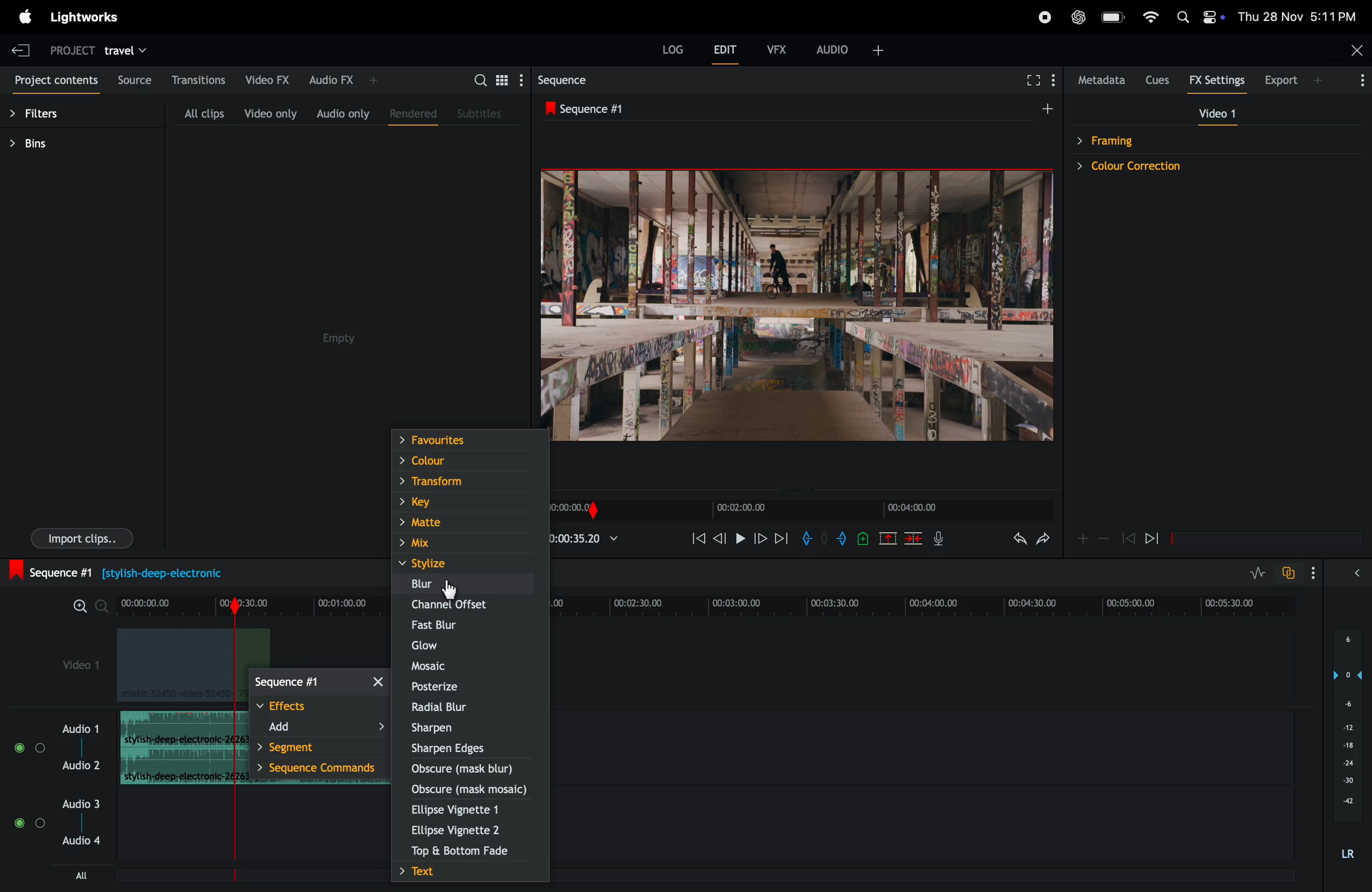 The width and height of the screenshot is (1372, 892). I want to click on zoom in zoom out, so click(87, 605).